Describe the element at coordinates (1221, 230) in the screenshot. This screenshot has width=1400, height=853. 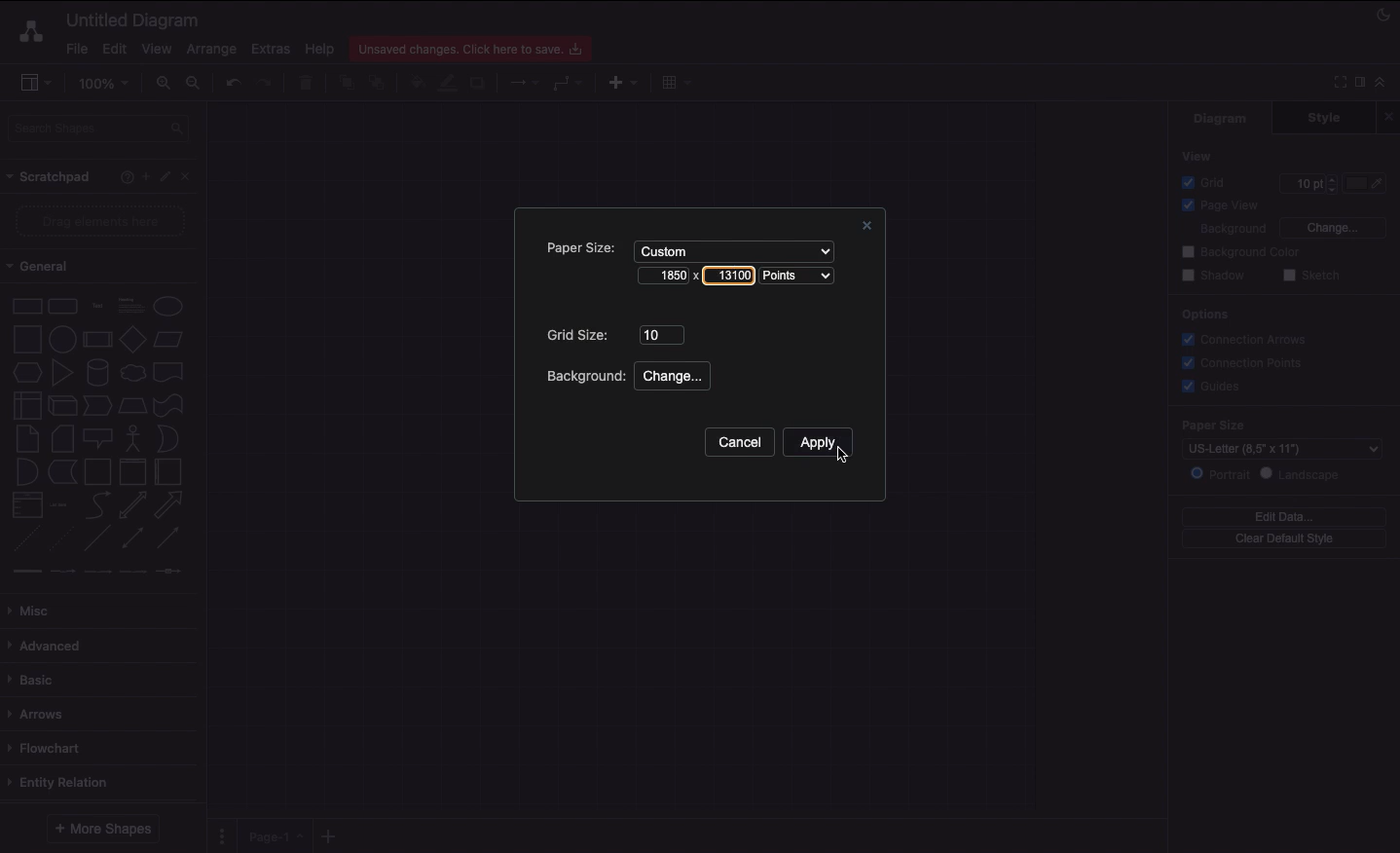
I see `Background ` at that location.